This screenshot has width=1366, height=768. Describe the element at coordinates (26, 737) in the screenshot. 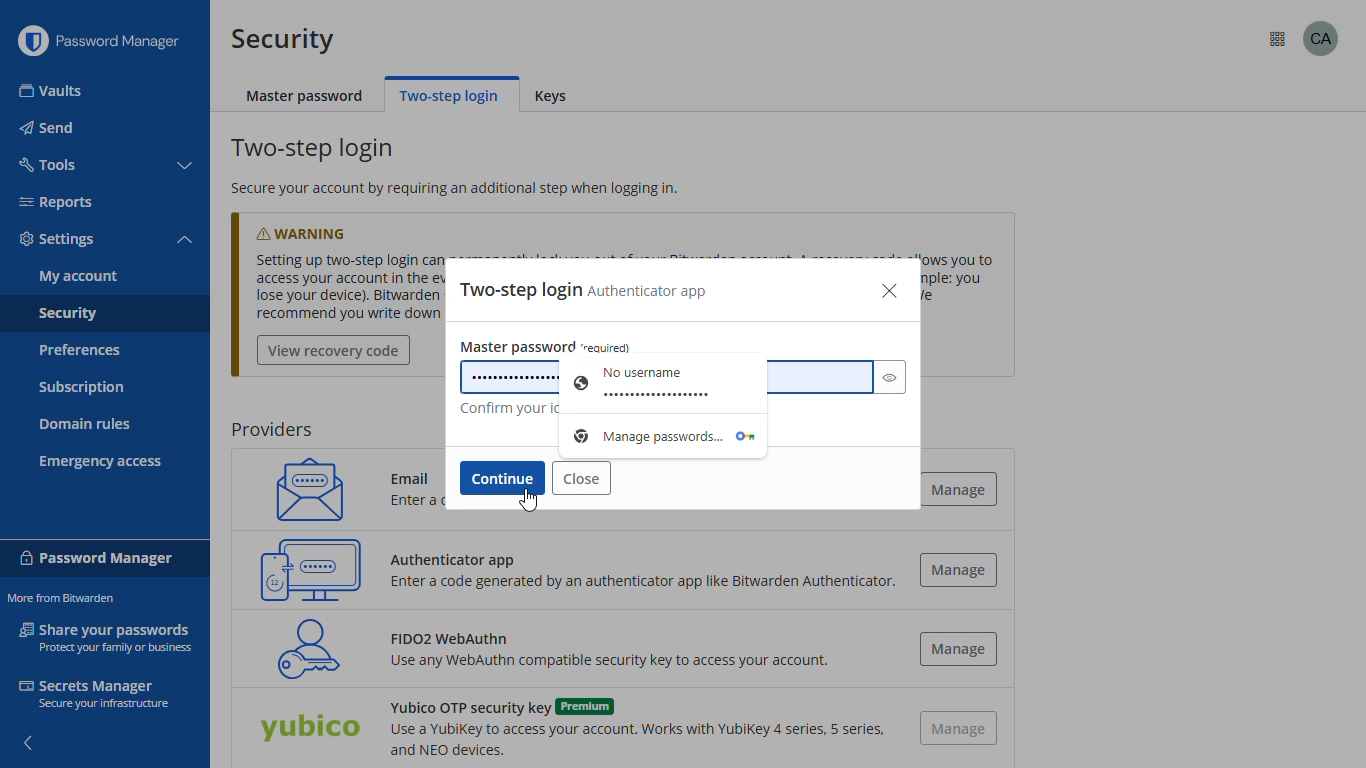

I see `hide` at that location.